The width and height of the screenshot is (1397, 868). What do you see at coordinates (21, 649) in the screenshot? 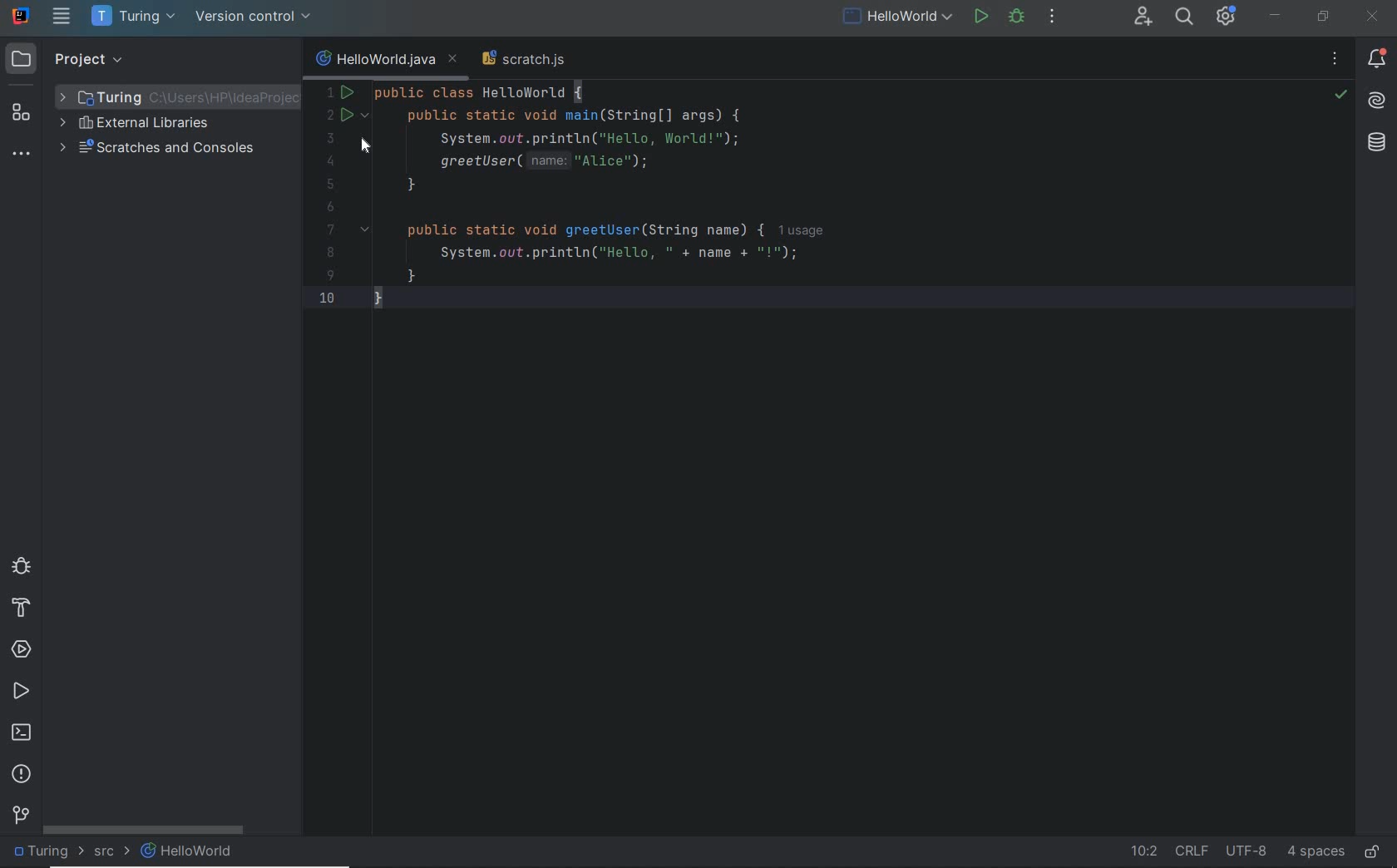
I see `services` at bounding box center [21, 649].